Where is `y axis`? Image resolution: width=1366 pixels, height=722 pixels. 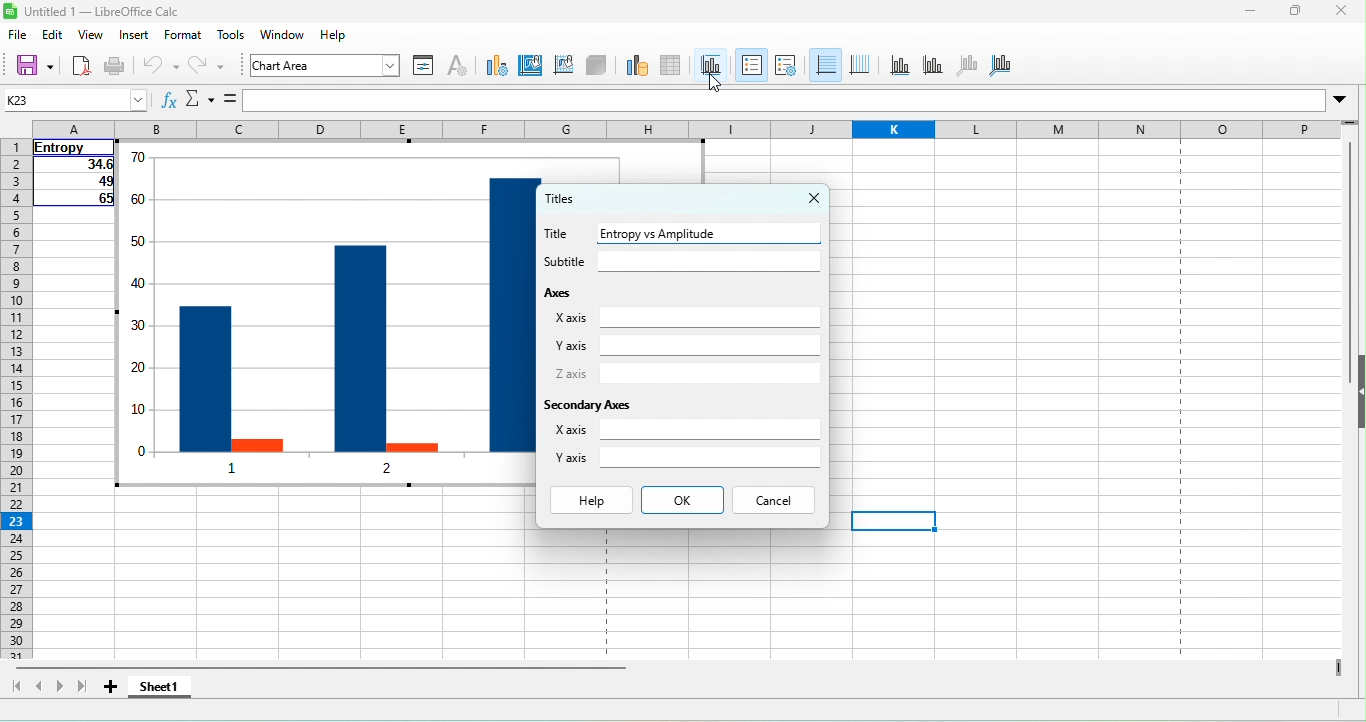 y axis is located at coordinates (691, 463).